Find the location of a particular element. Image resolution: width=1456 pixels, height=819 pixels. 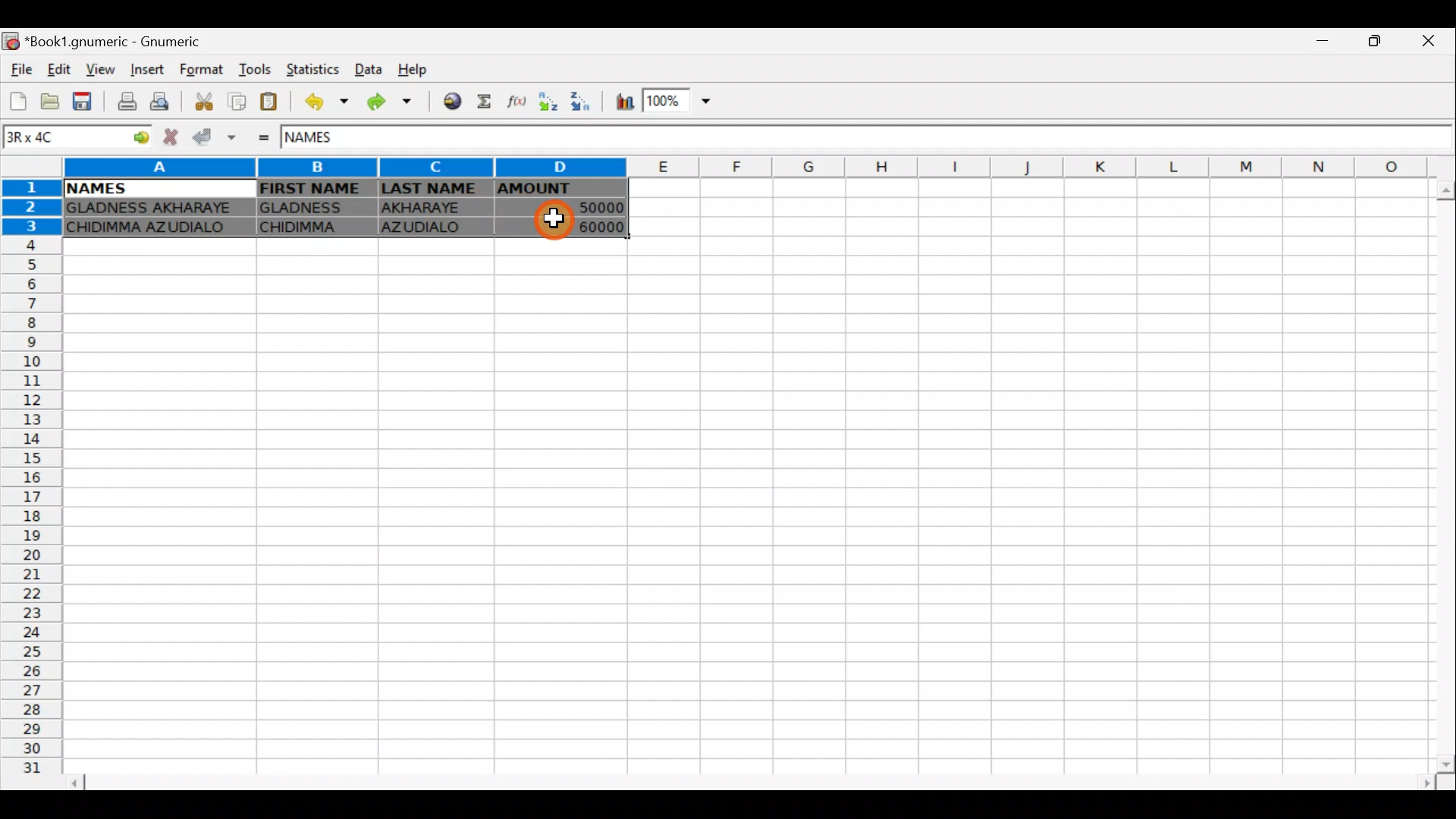

60000 is located at coordinates (586, 226).